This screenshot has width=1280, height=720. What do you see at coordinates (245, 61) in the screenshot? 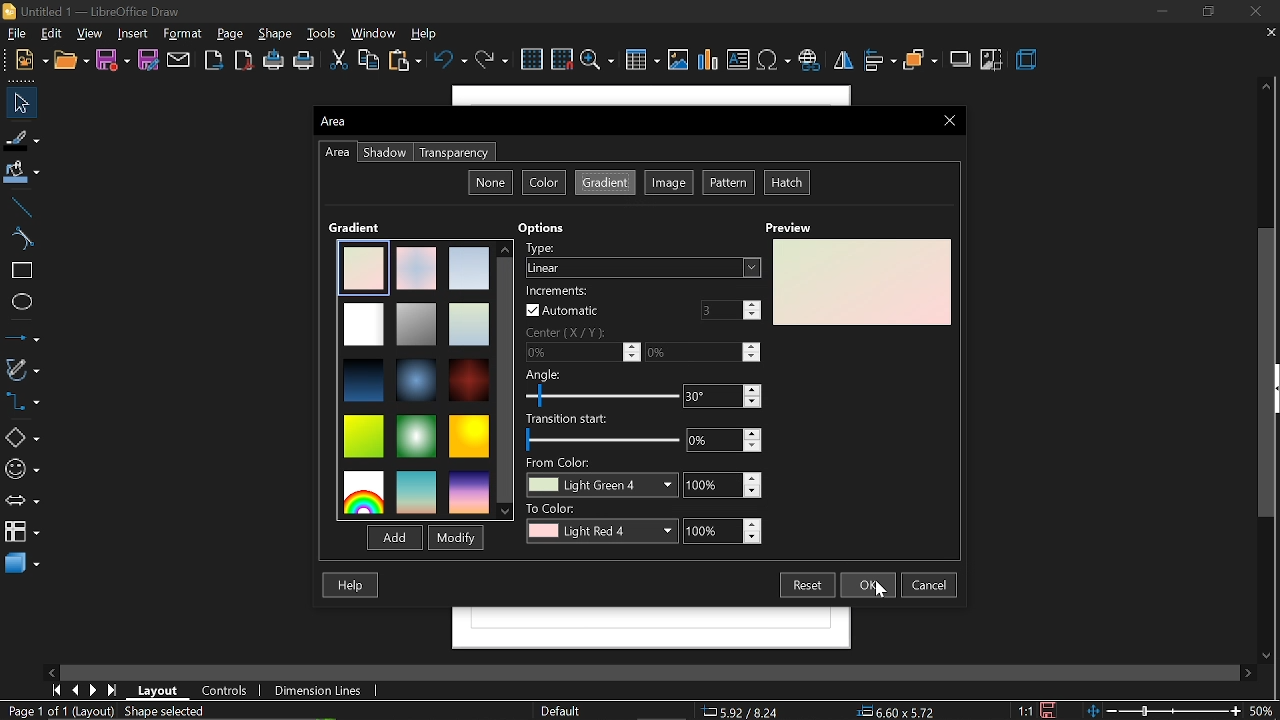
I see `export as pdf` at bounding box center [245, 61].